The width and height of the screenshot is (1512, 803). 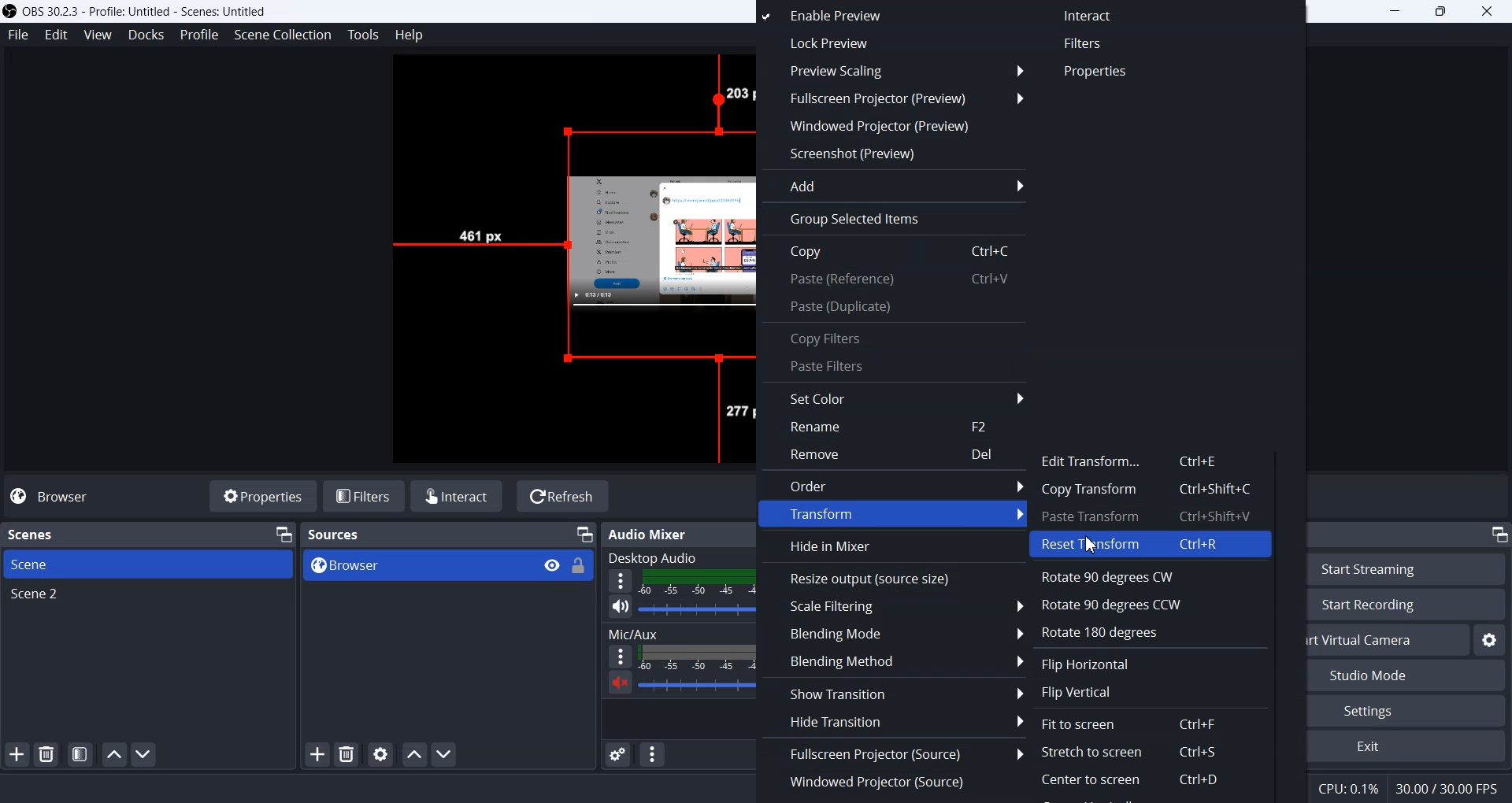 I want to click on Minimize, so click(x=584, y=535).